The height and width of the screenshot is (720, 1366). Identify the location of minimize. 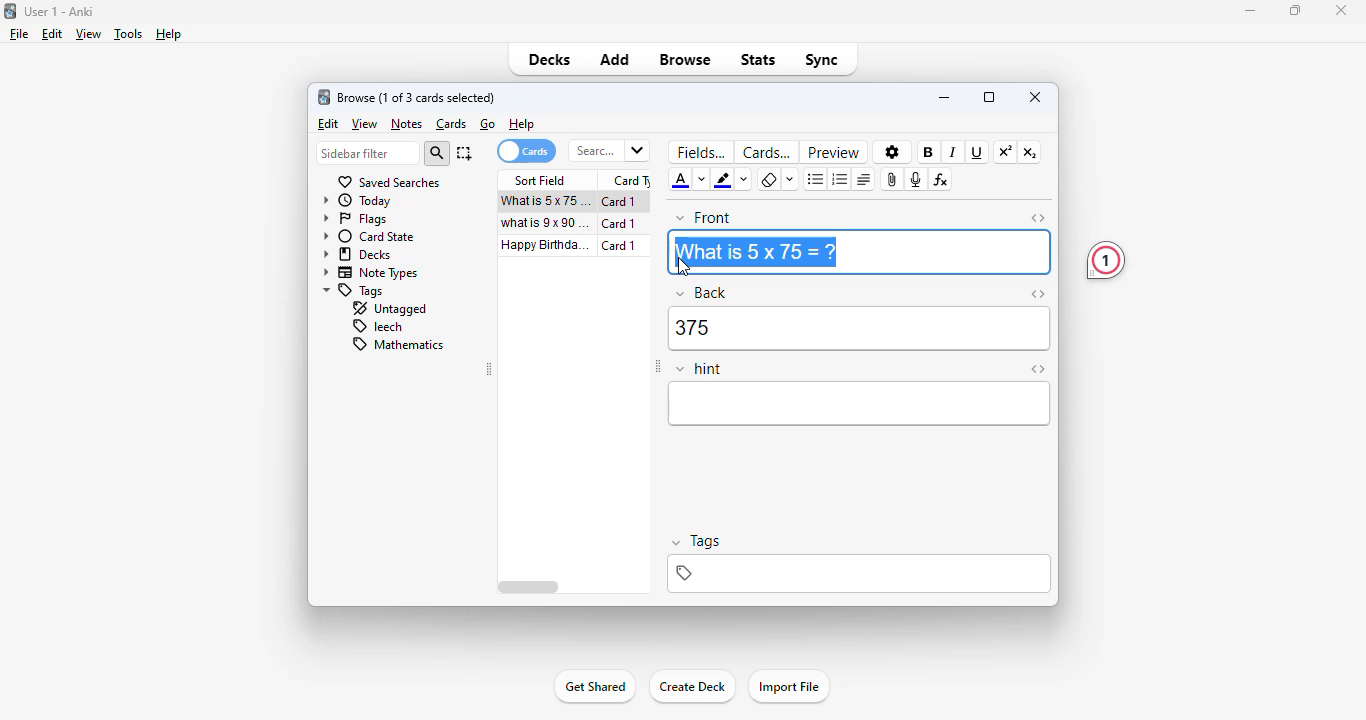
(944, 98).